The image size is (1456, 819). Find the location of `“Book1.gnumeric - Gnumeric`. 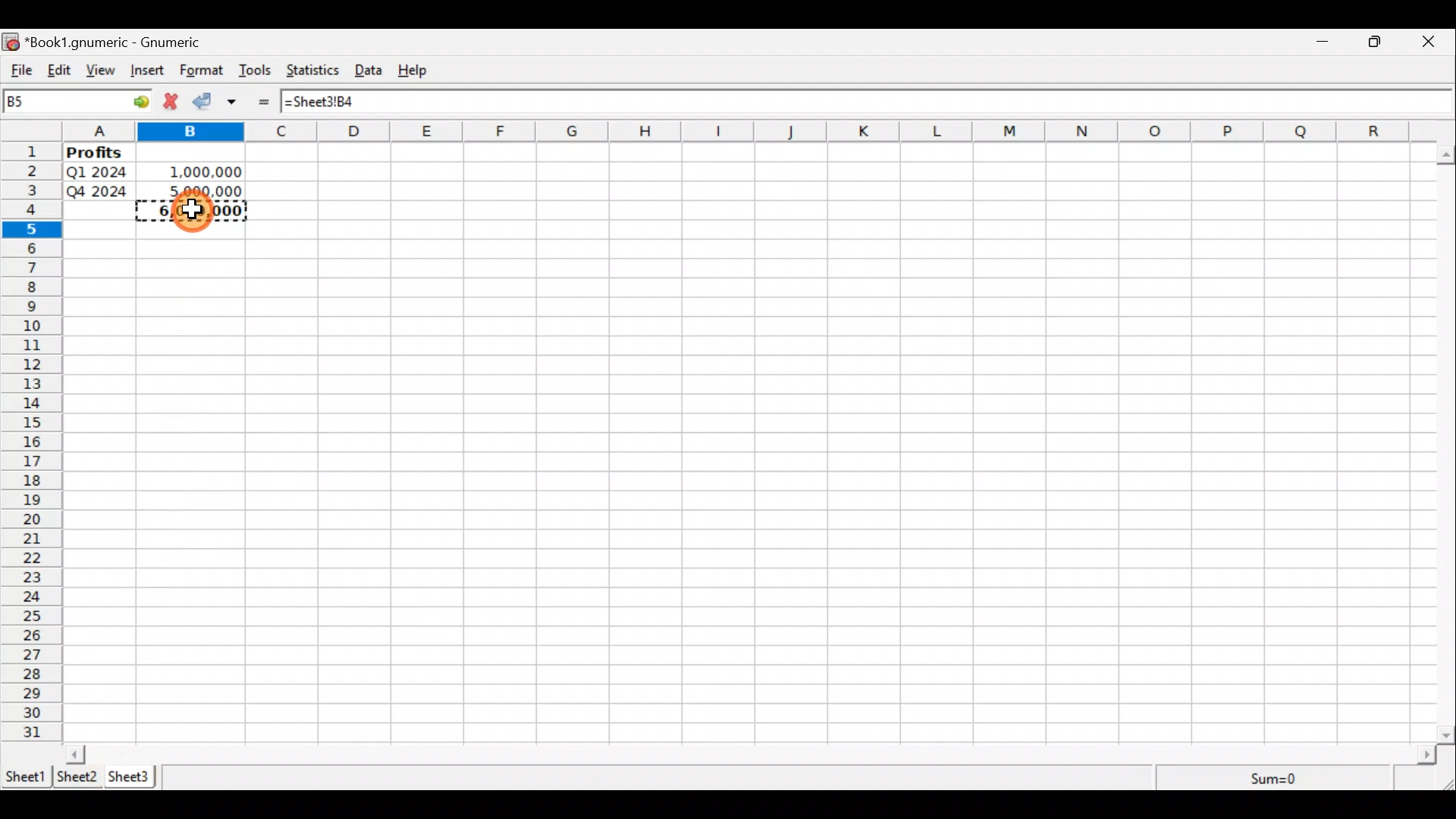

“Book1.gnumeric - Gnumeric is located at coordinates (121, 42).